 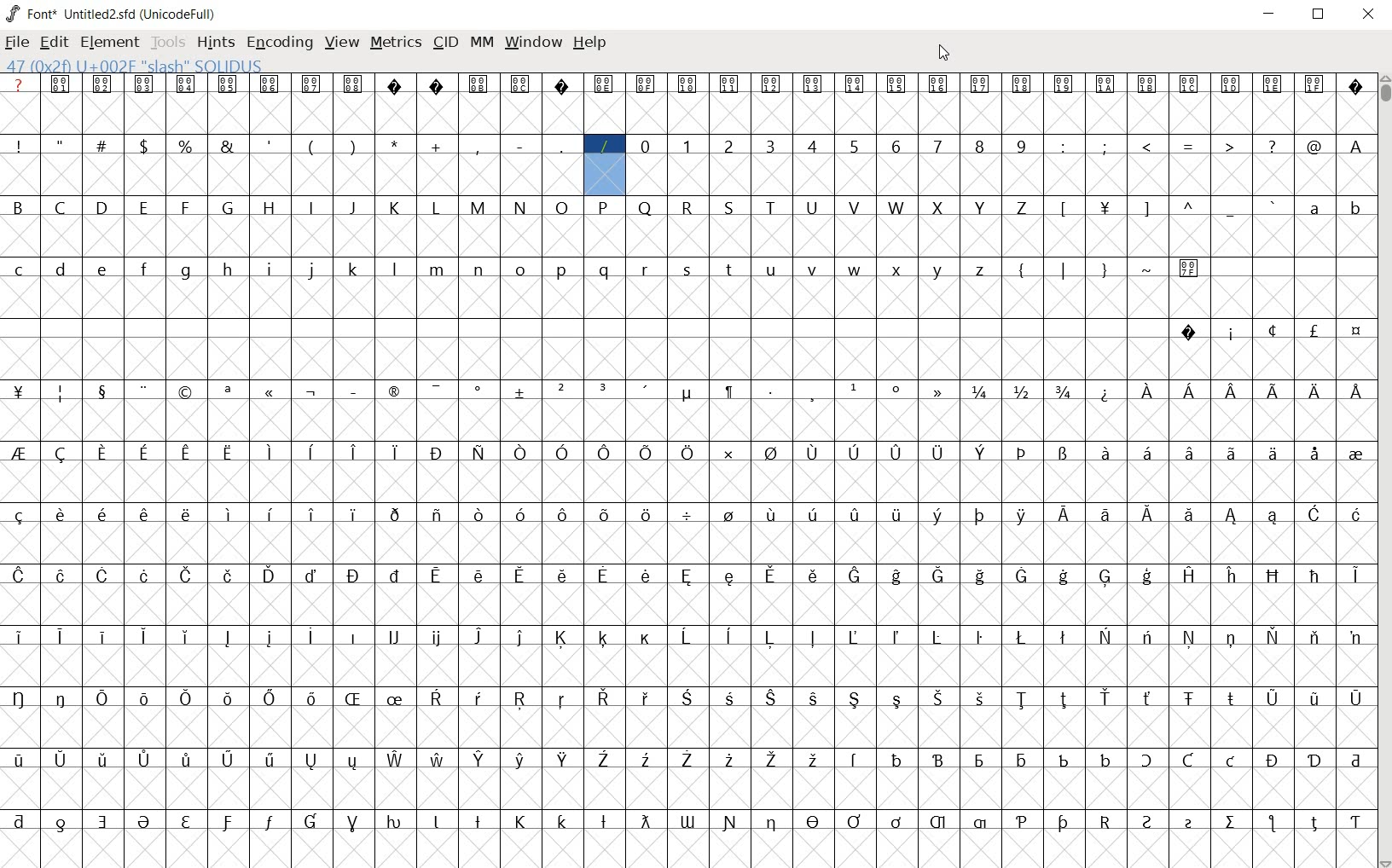 What do you see at coordinates (1314, 513) in the screenshot?
I see `glyph` at bounding box center [1314, 513].